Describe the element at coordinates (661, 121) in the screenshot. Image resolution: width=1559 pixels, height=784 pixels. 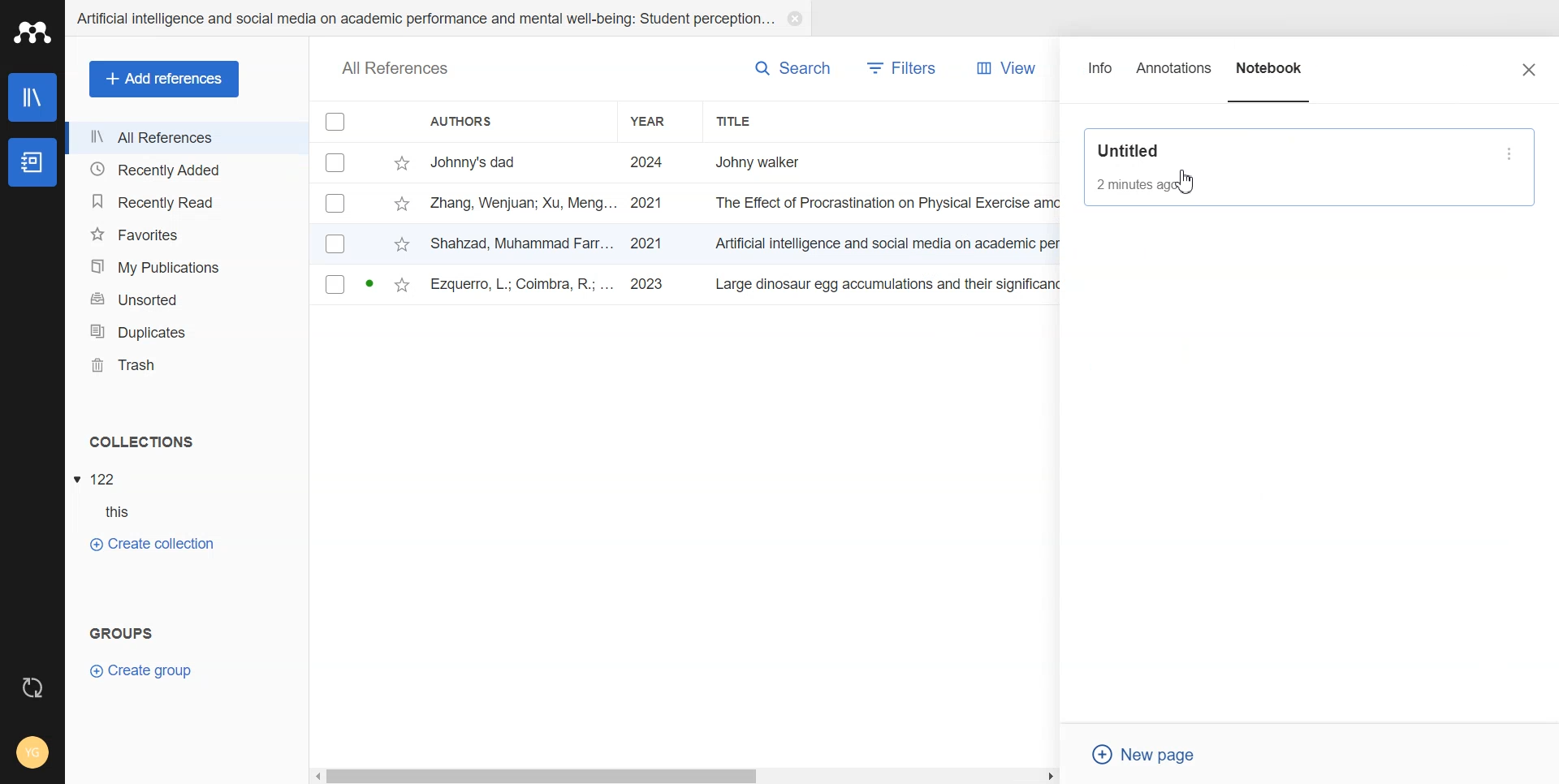
I see `Year` at that location.